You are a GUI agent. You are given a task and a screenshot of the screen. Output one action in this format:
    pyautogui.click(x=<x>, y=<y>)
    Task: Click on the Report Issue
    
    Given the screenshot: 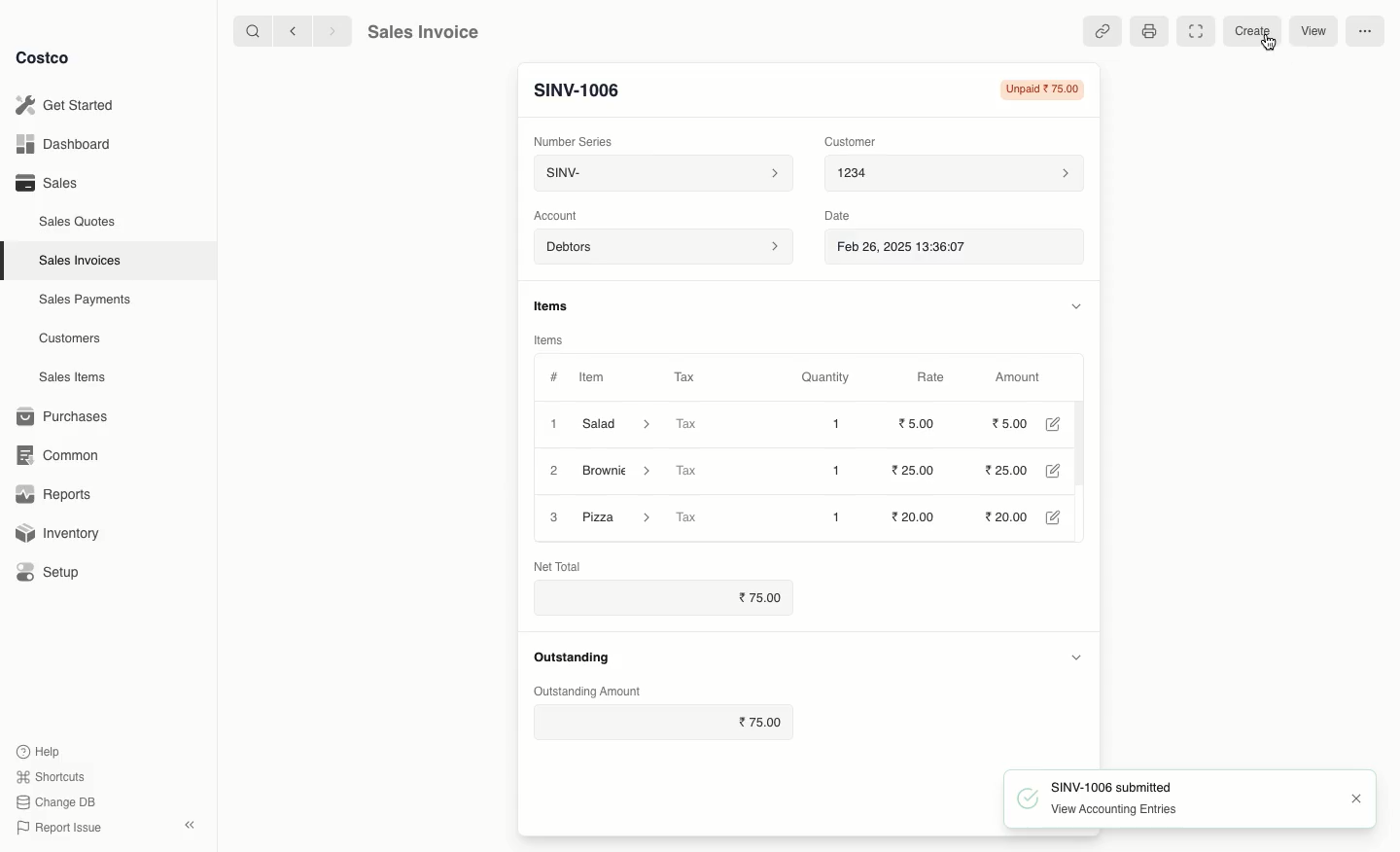 What is the action you would take?
    pyautogui.click(x=55, y=828)
    